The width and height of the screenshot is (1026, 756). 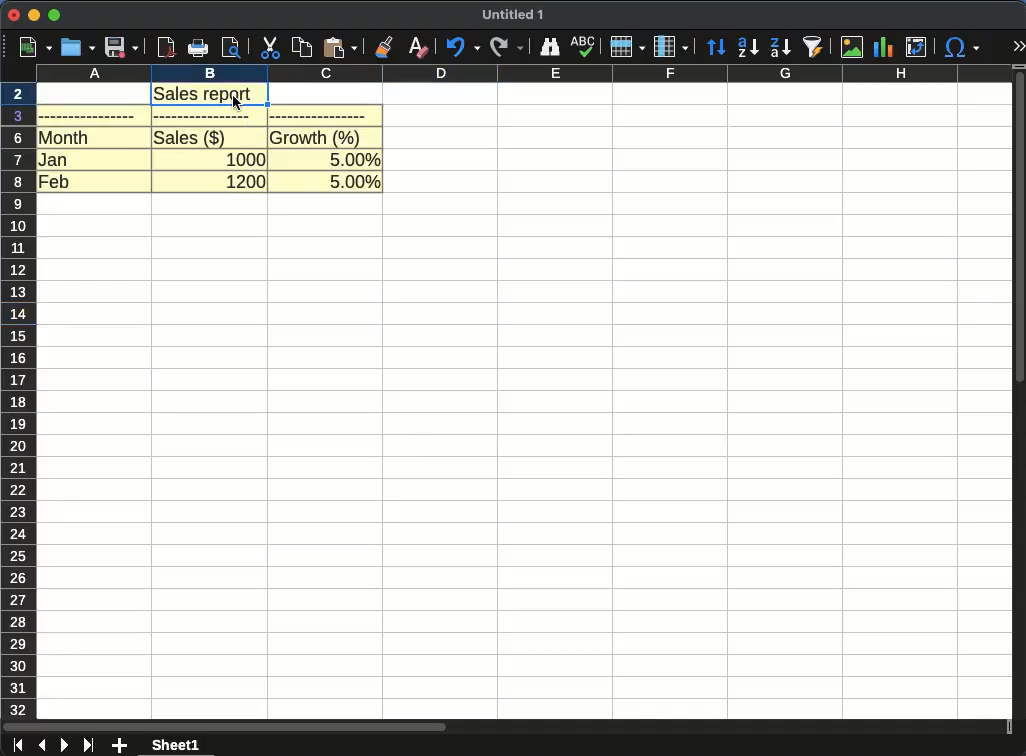 I want to click on month, so click(x=65, y=137).